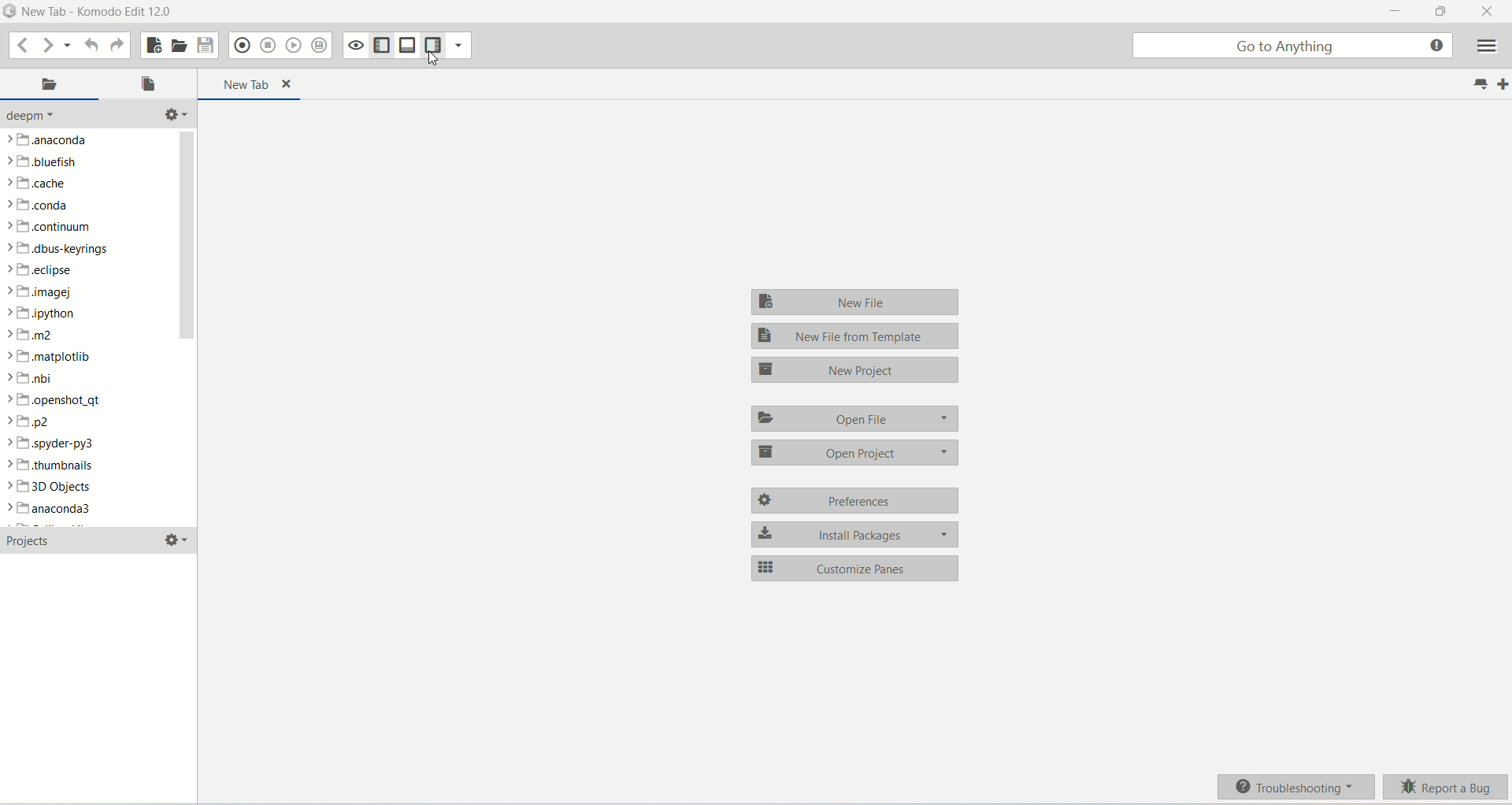 Image resolution: width=1512 pixels, height=805 pixels. I want to click on undo, so click(93, 46).